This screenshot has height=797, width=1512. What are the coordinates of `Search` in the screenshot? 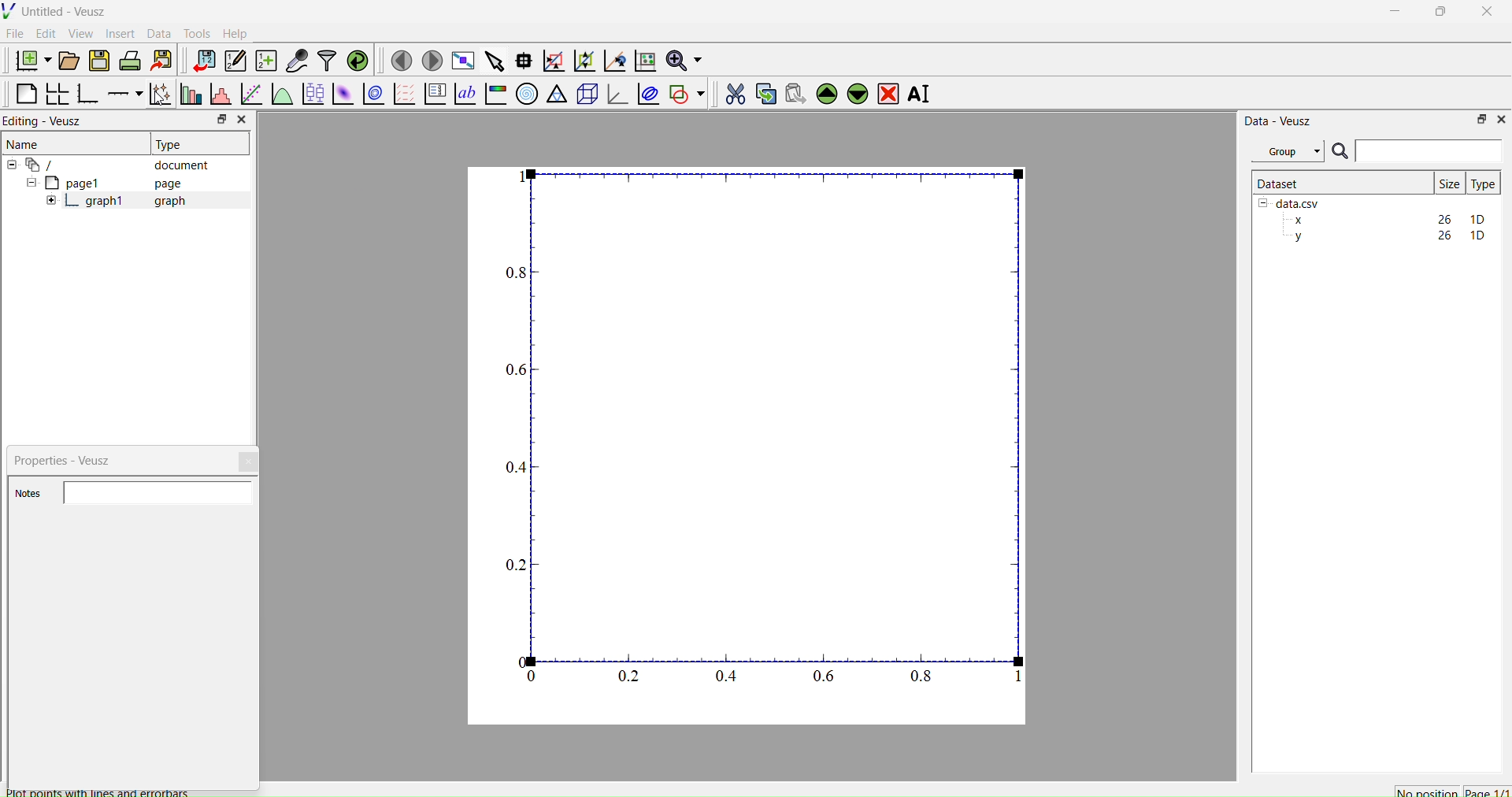 It's located at (1340, 152).